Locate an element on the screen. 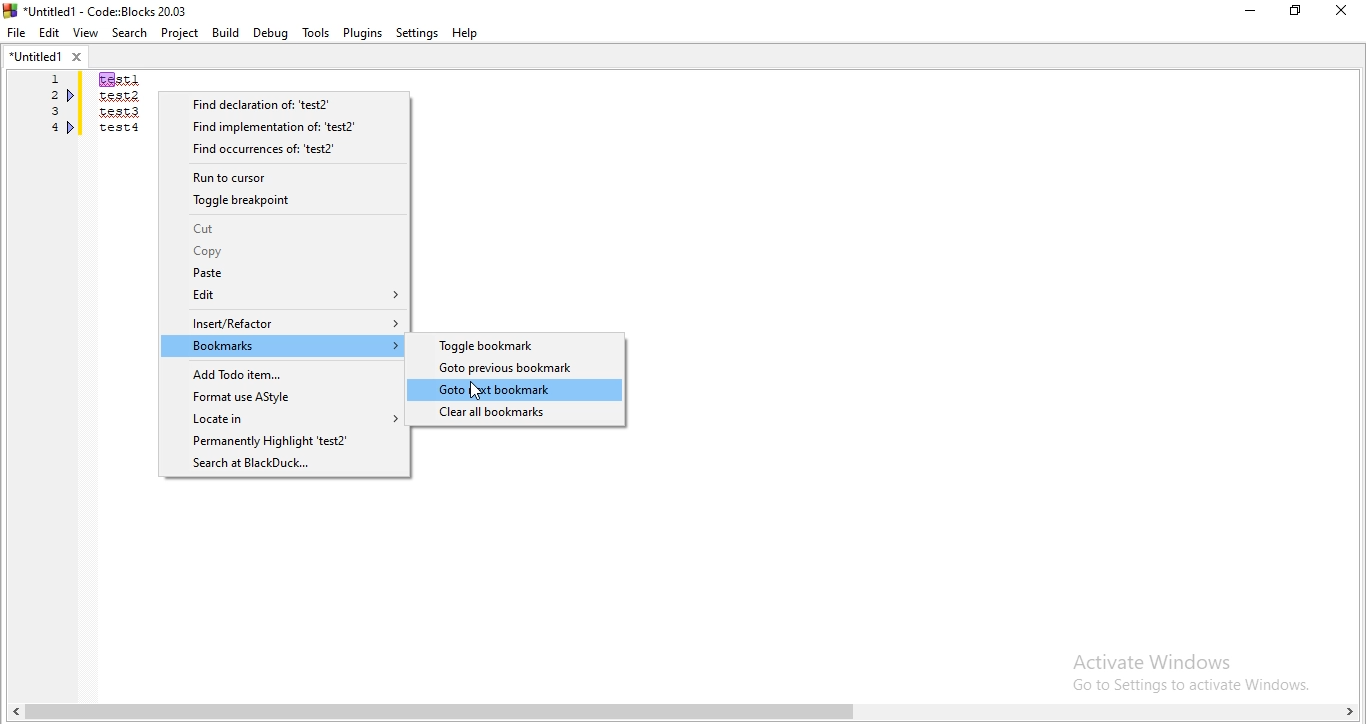 The width and height of the screenshot is (1366, 724). test1/test2/test3/test4  is located at coordinates (118, 105).